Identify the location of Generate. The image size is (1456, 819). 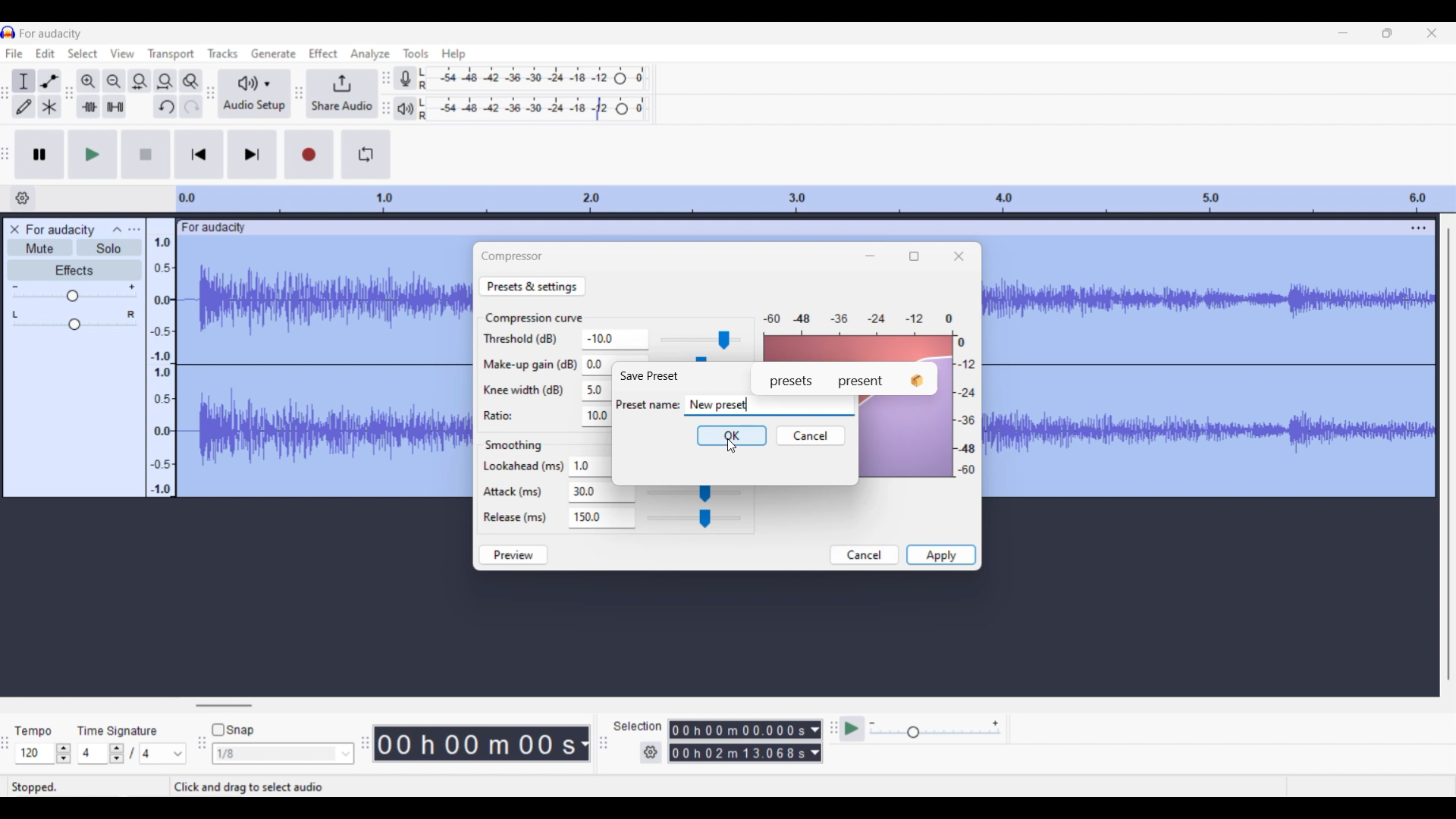
(273, 52).